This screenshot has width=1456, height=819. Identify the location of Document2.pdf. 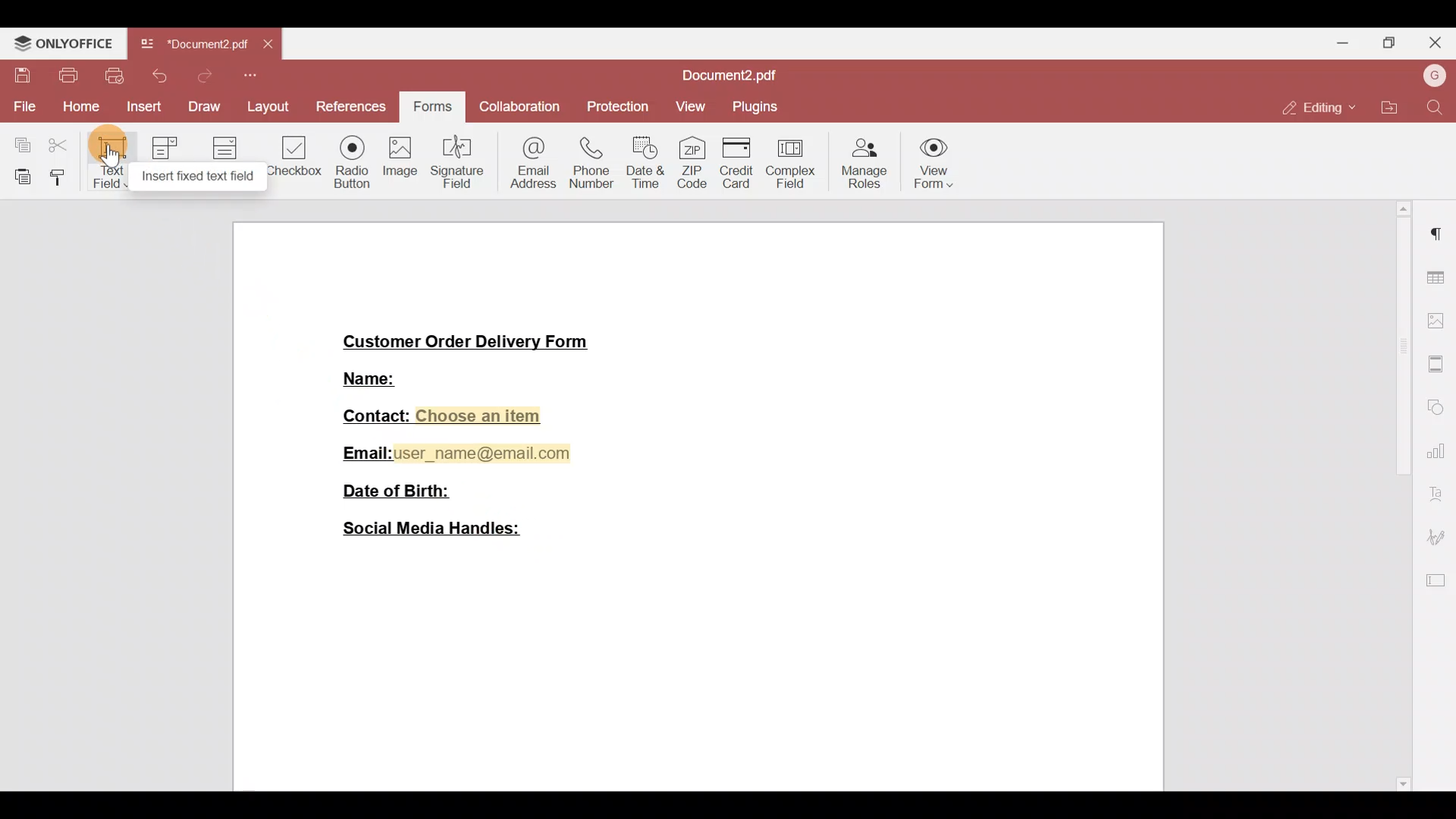
(736, 76).